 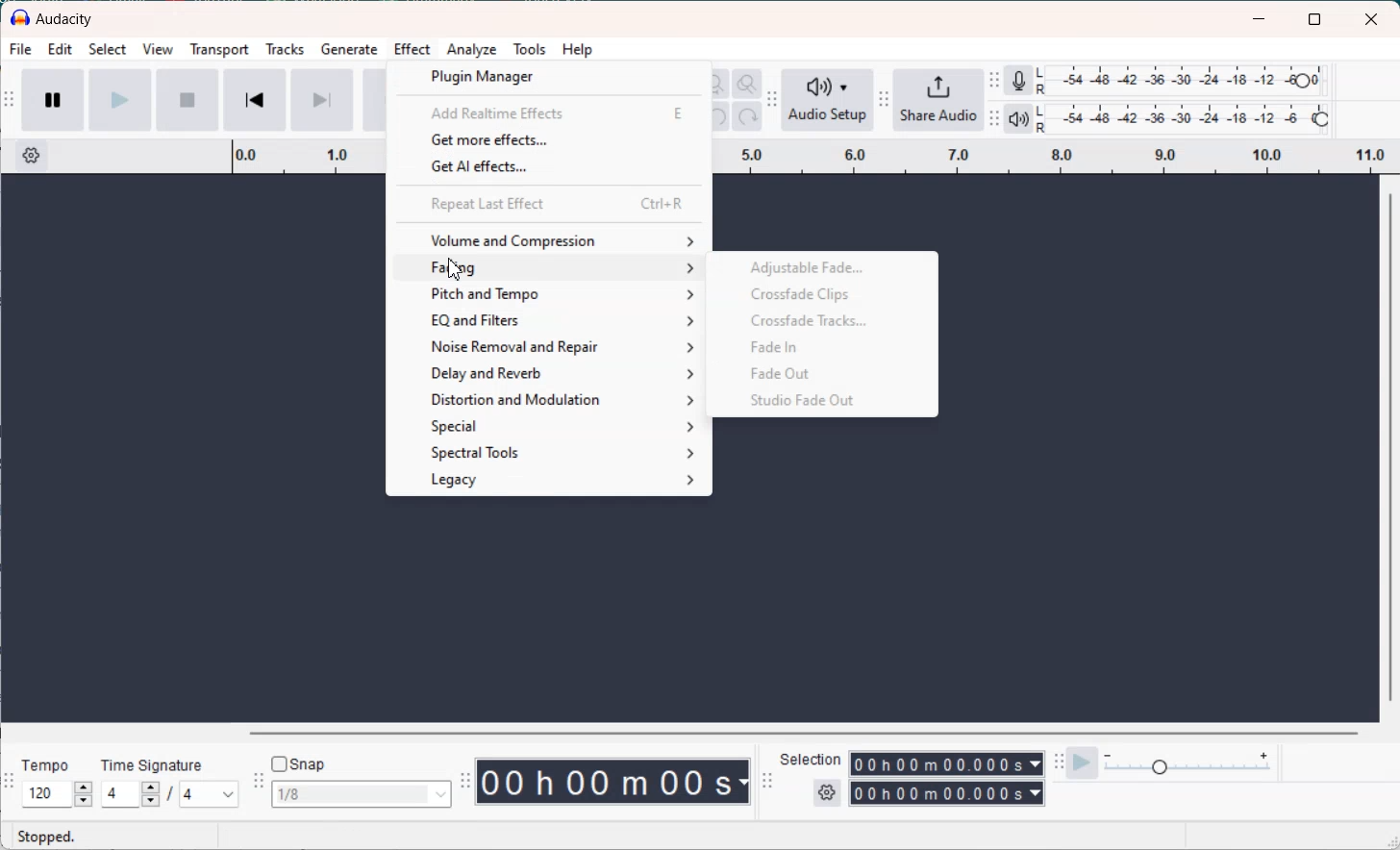 What do you see at coordinates (158, 51) in the screenshot?
I see `View` at bounding box center [158, 51].